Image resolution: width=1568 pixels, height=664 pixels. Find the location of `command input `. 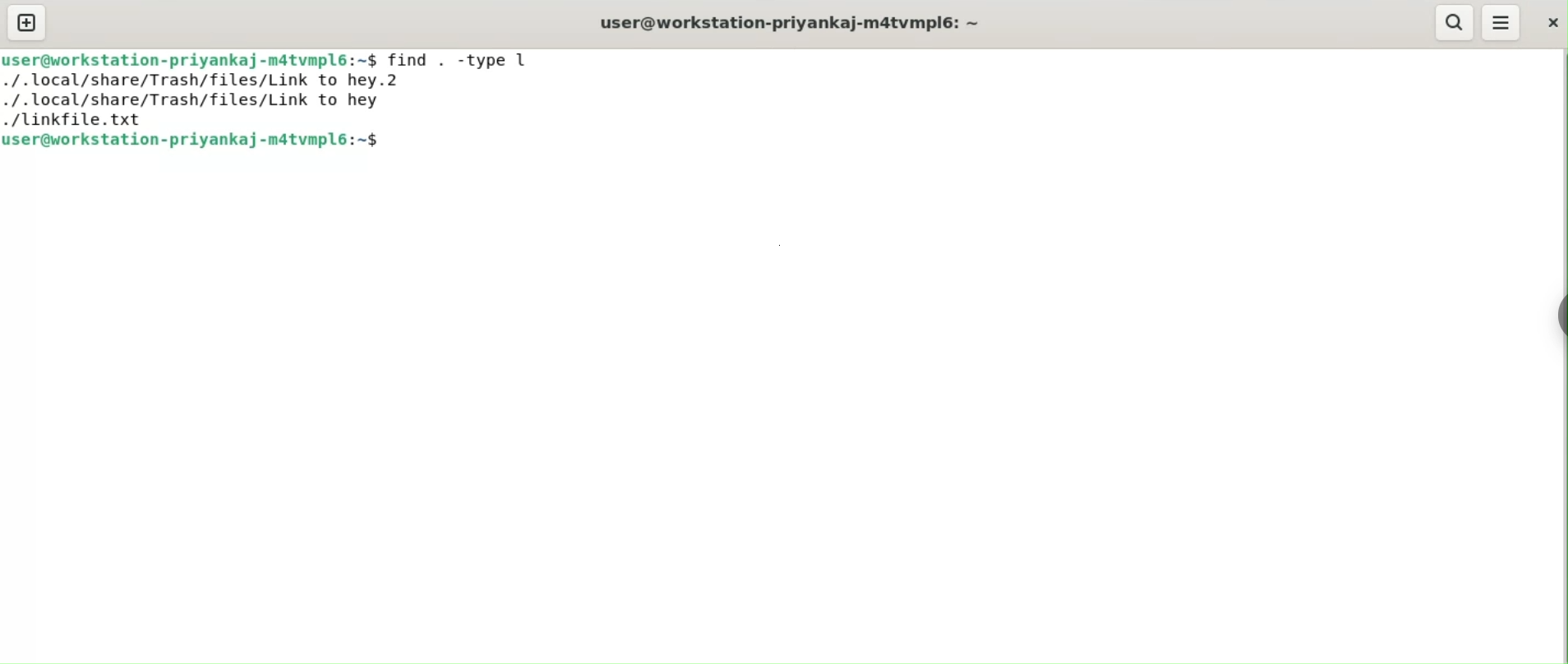

command input  is located at coordinates (980, 141).